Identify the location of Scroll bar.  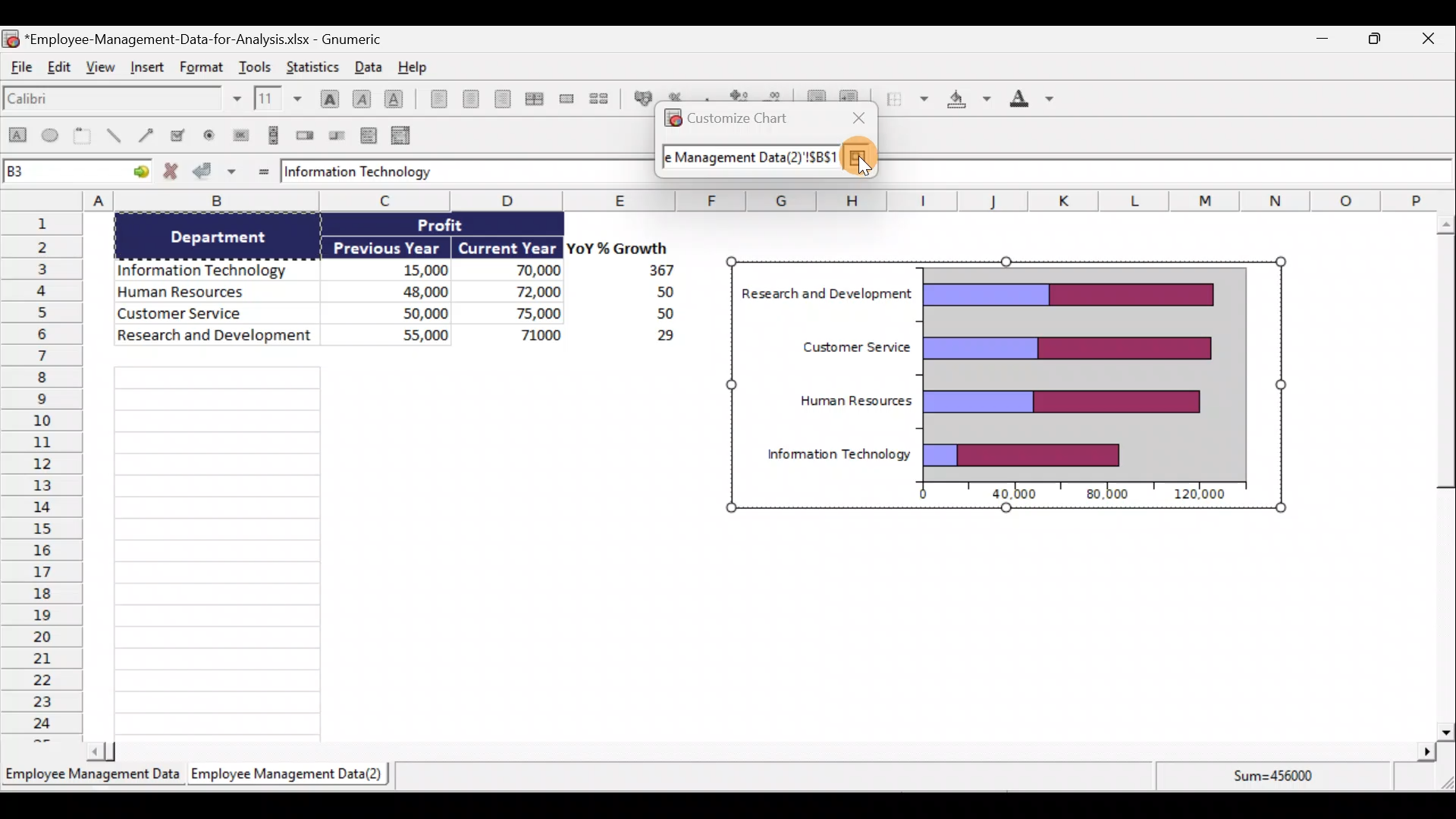
(1438, 476).